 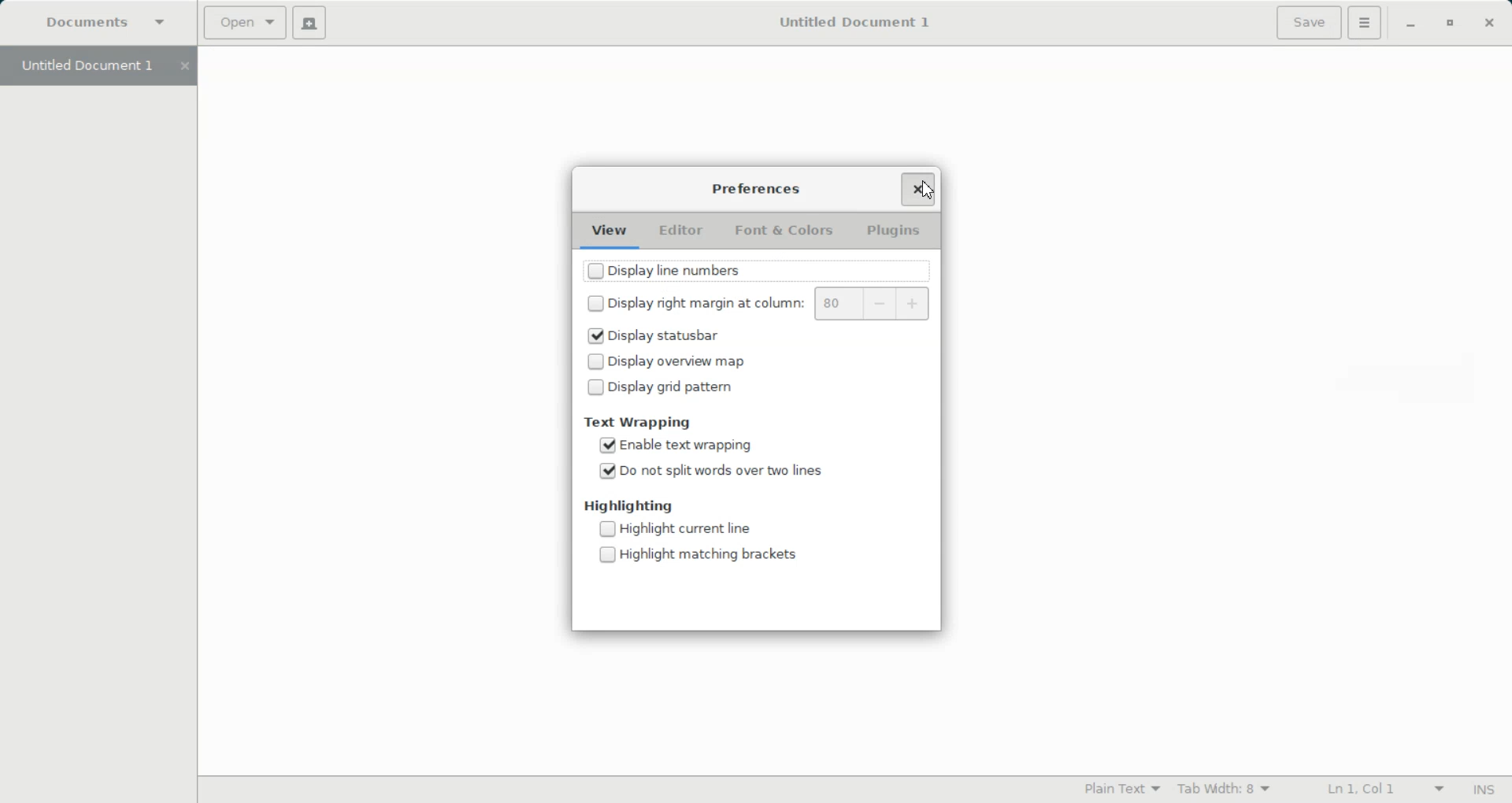 What do you see at coordinates (1225, 788) in the screenshot?
I see `Tab width` at bounding box center [1225, 788].